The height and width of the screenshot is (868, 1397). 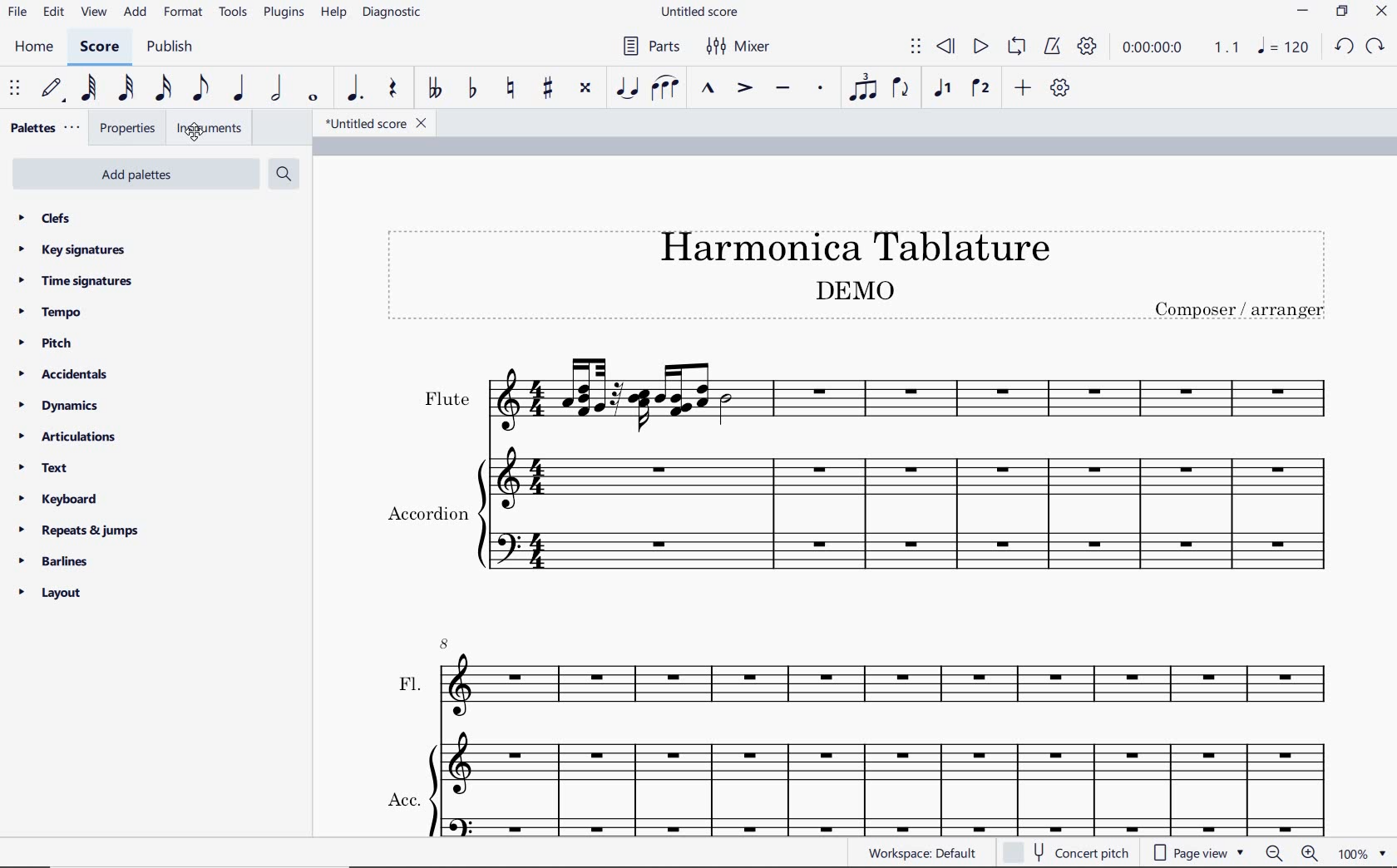 I want to click on workspace: default, so click(x=920, y=852).